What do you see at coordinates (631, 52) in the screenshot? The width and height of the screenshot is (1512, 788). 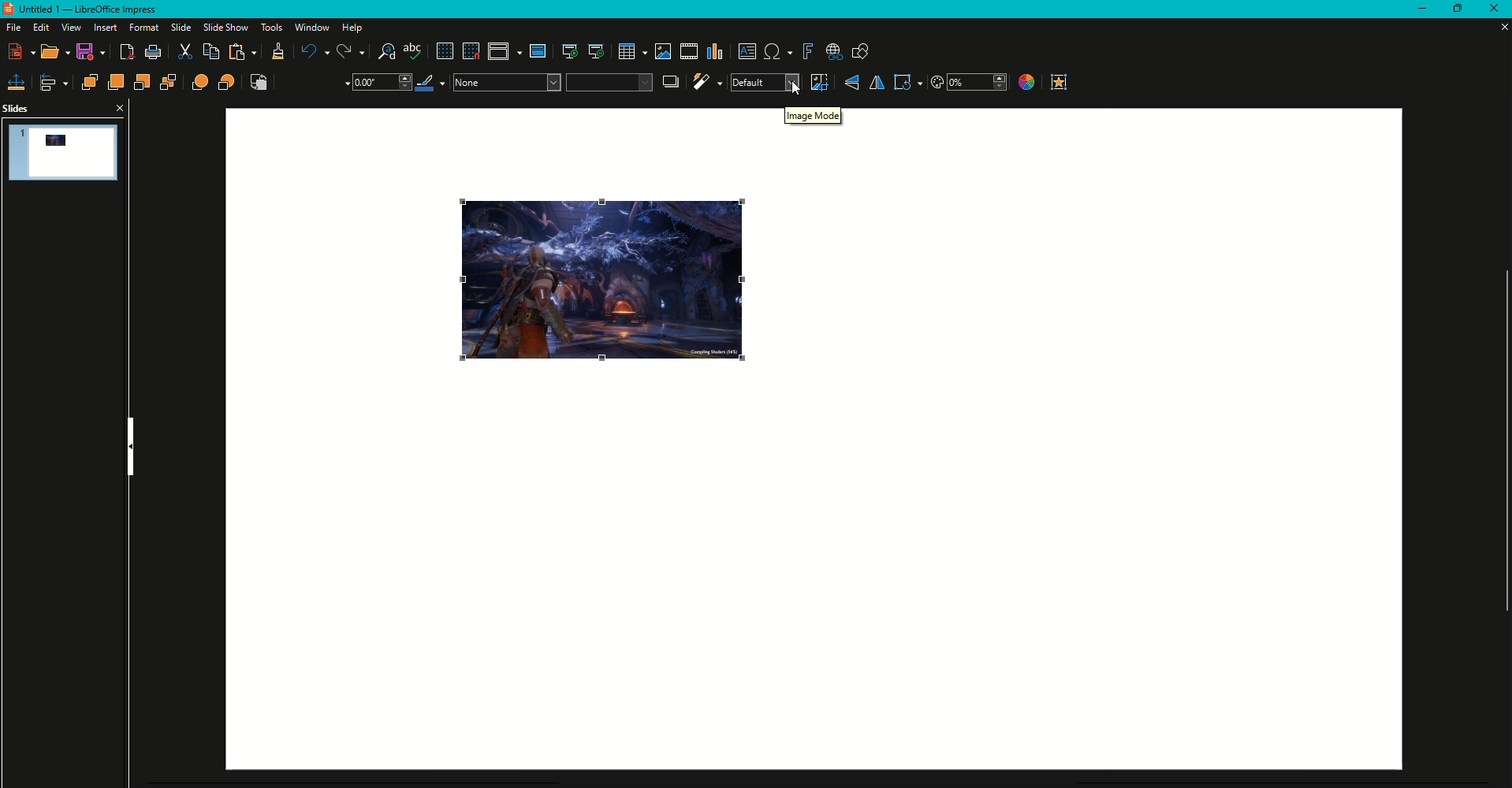 I see `Table` at bounding box center [631, 52].